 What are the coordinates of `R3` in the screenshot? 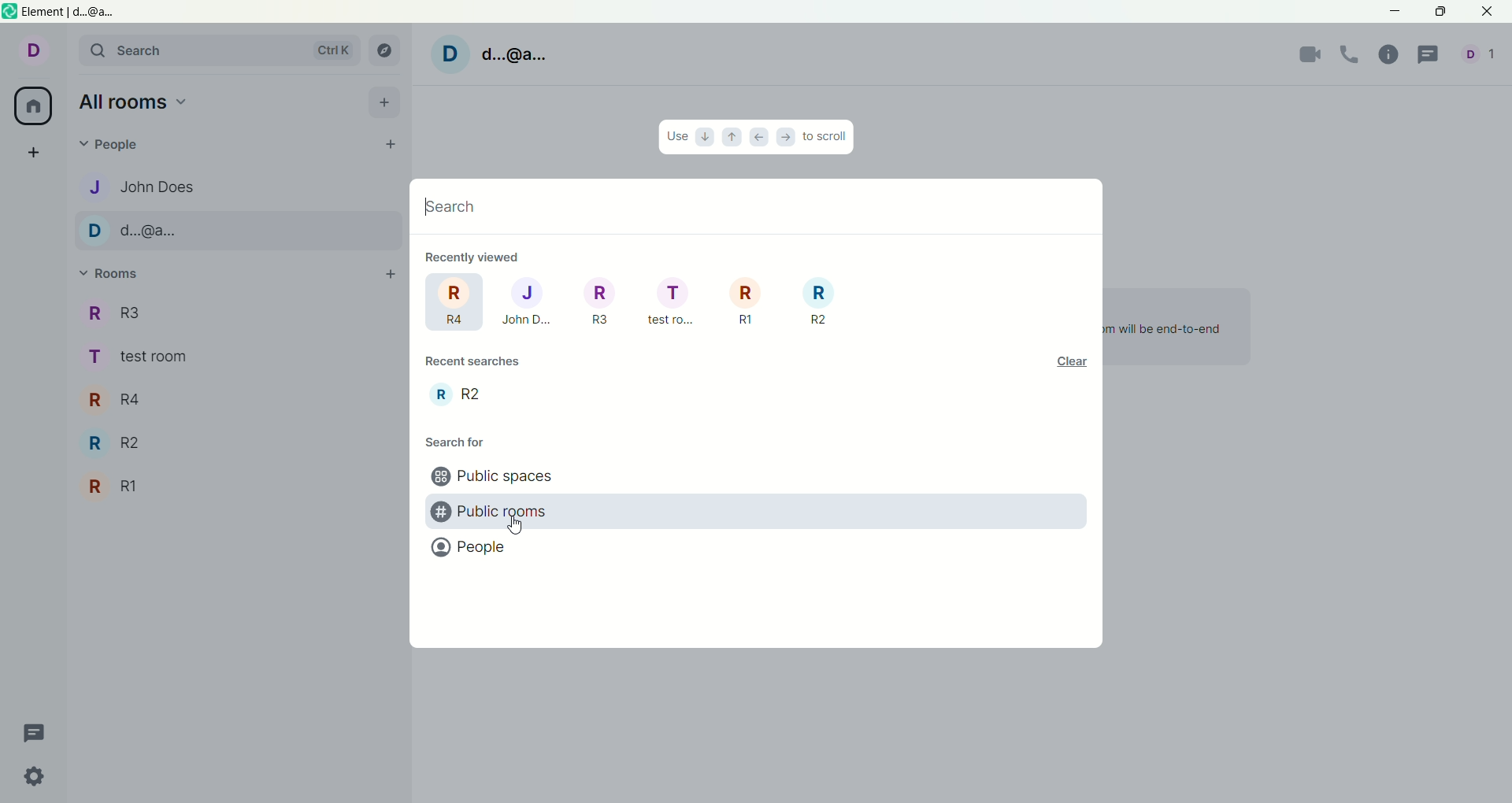 It's located at (242, 315).